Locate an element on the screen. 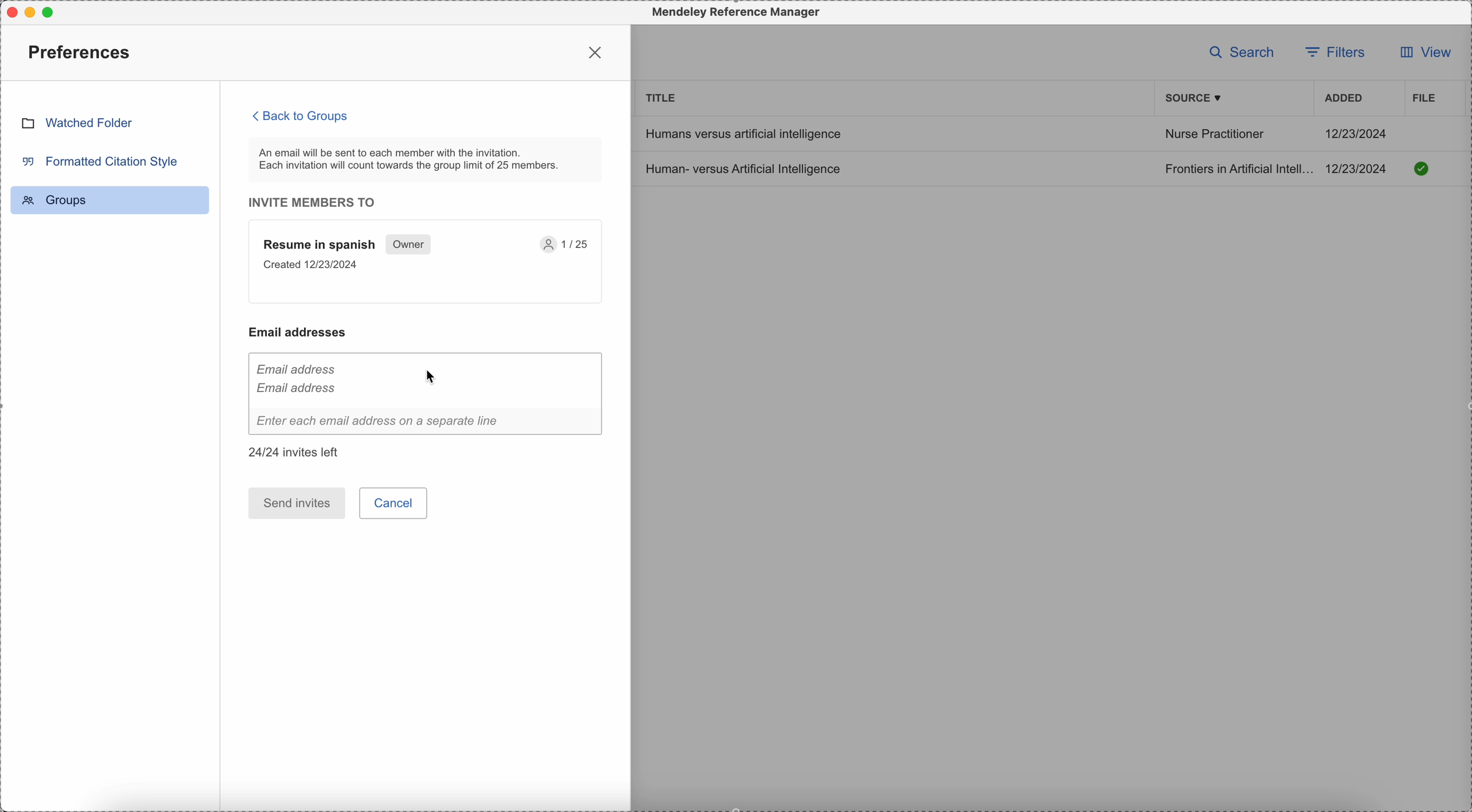  cancel is located at coordinates (395, 503).